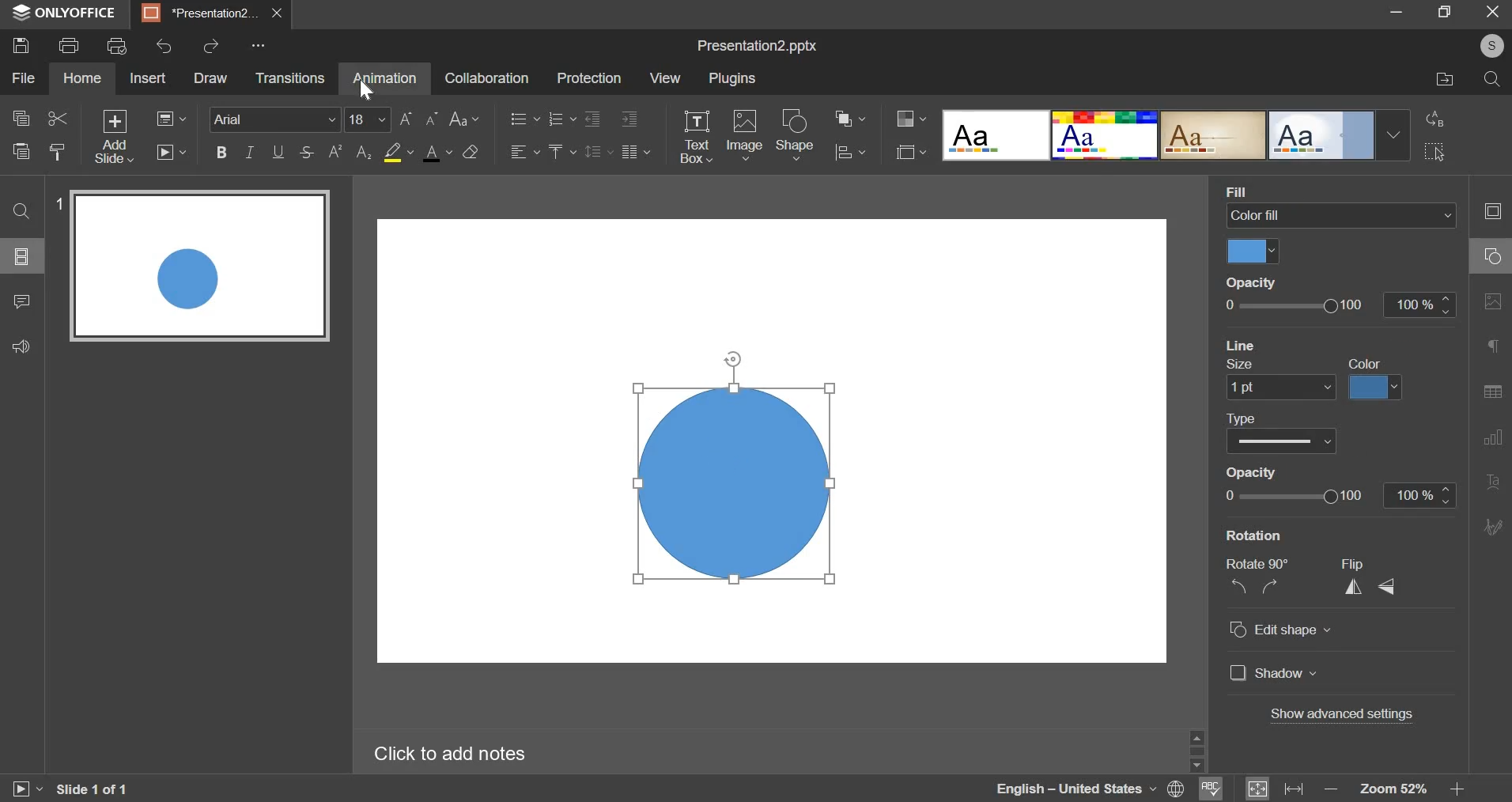  Describe the element at coordinates (248, 153) in the screenshot. I see `italic` at that location.